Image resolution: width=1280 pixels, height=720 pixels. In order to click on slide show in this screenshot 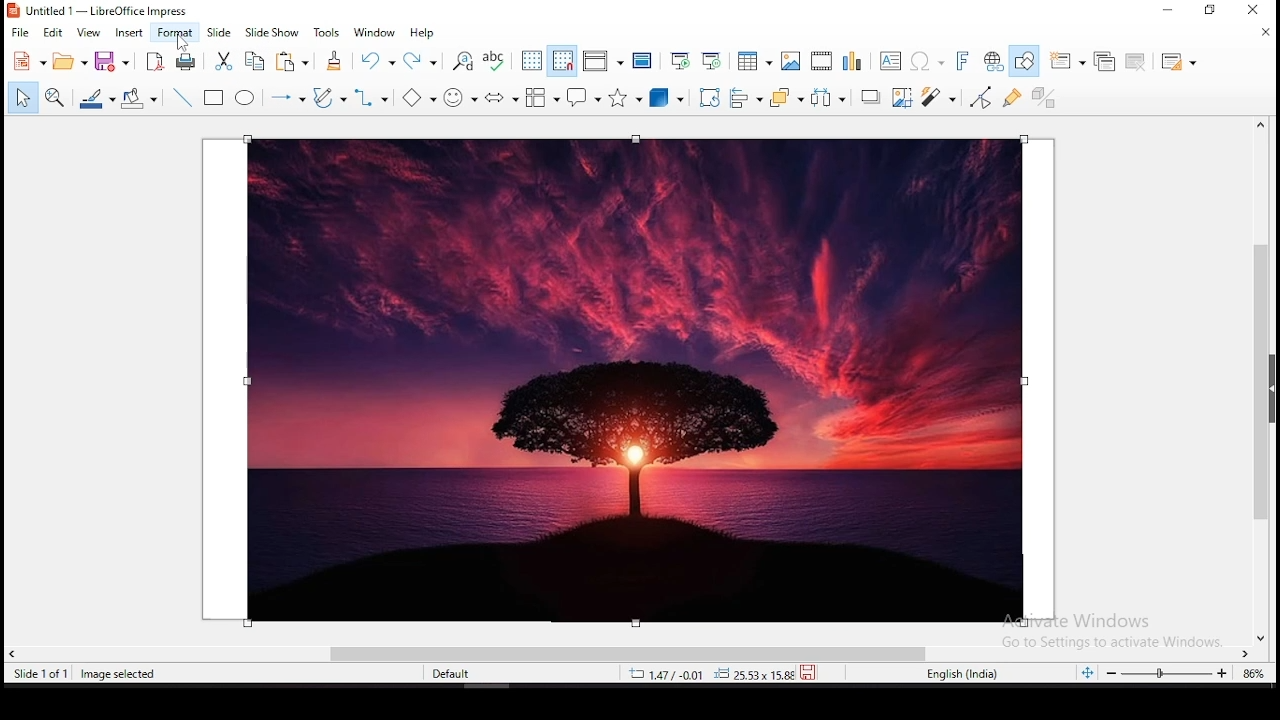, I will do `click(273, 32)`.